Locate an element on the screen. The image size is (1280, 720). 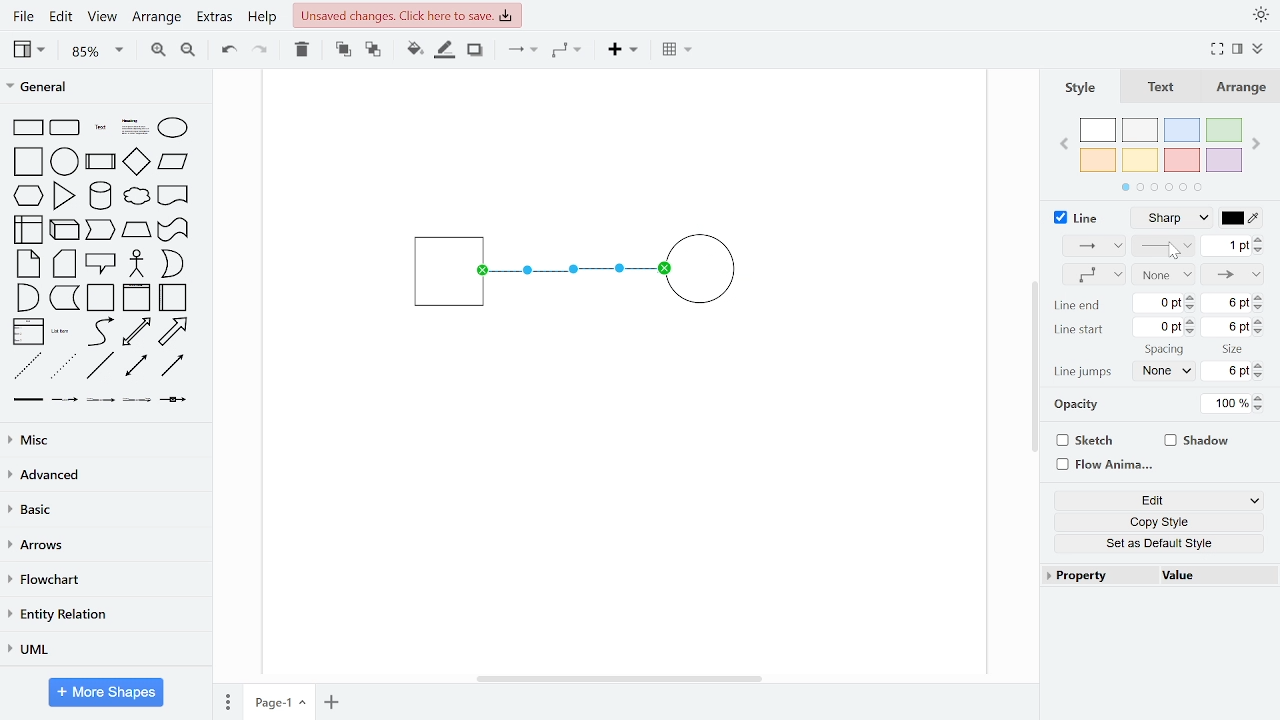
dashed line is located at coordinates (28, 367).